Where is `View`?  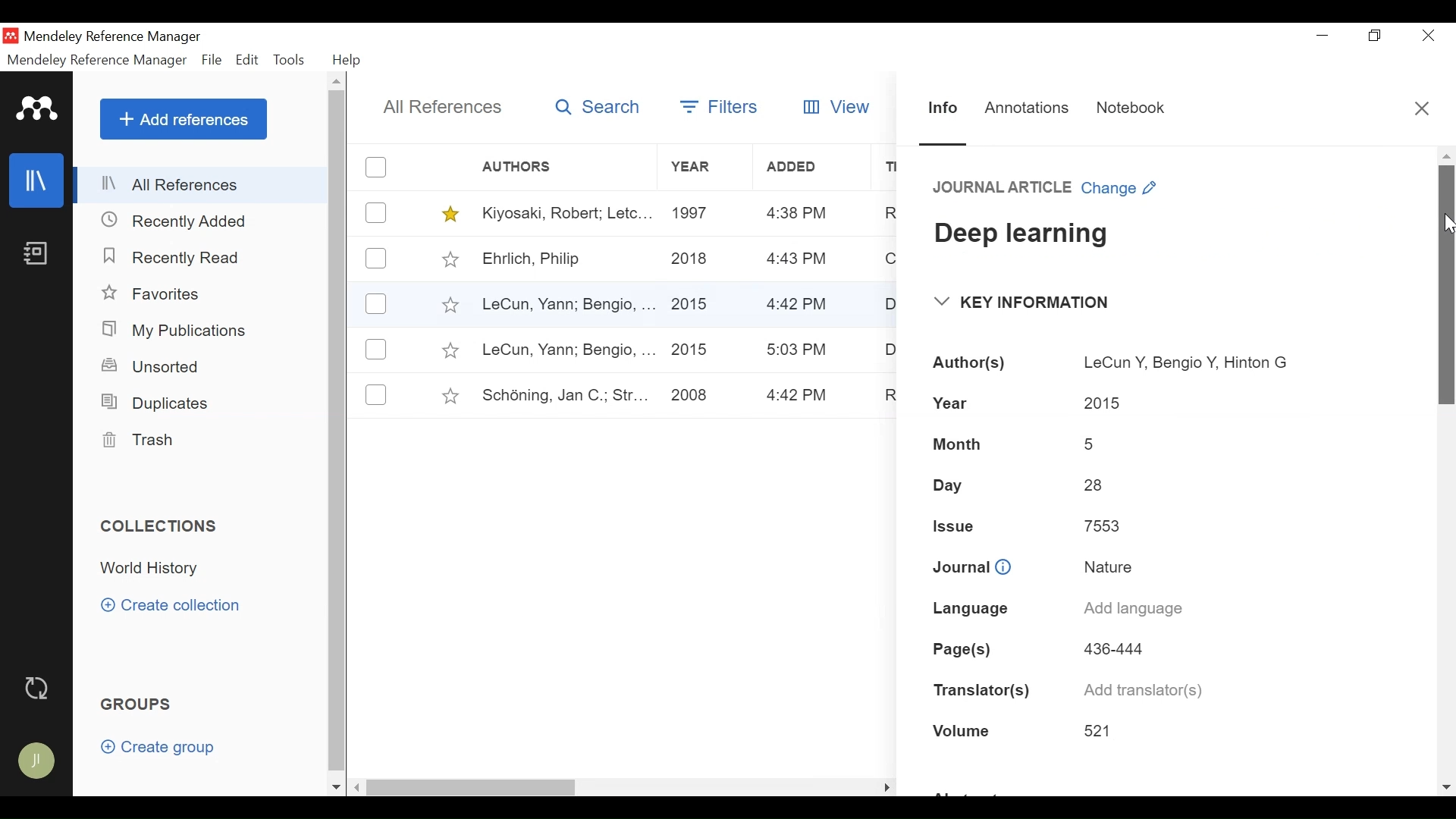 View is located at coordinates (833, 107).